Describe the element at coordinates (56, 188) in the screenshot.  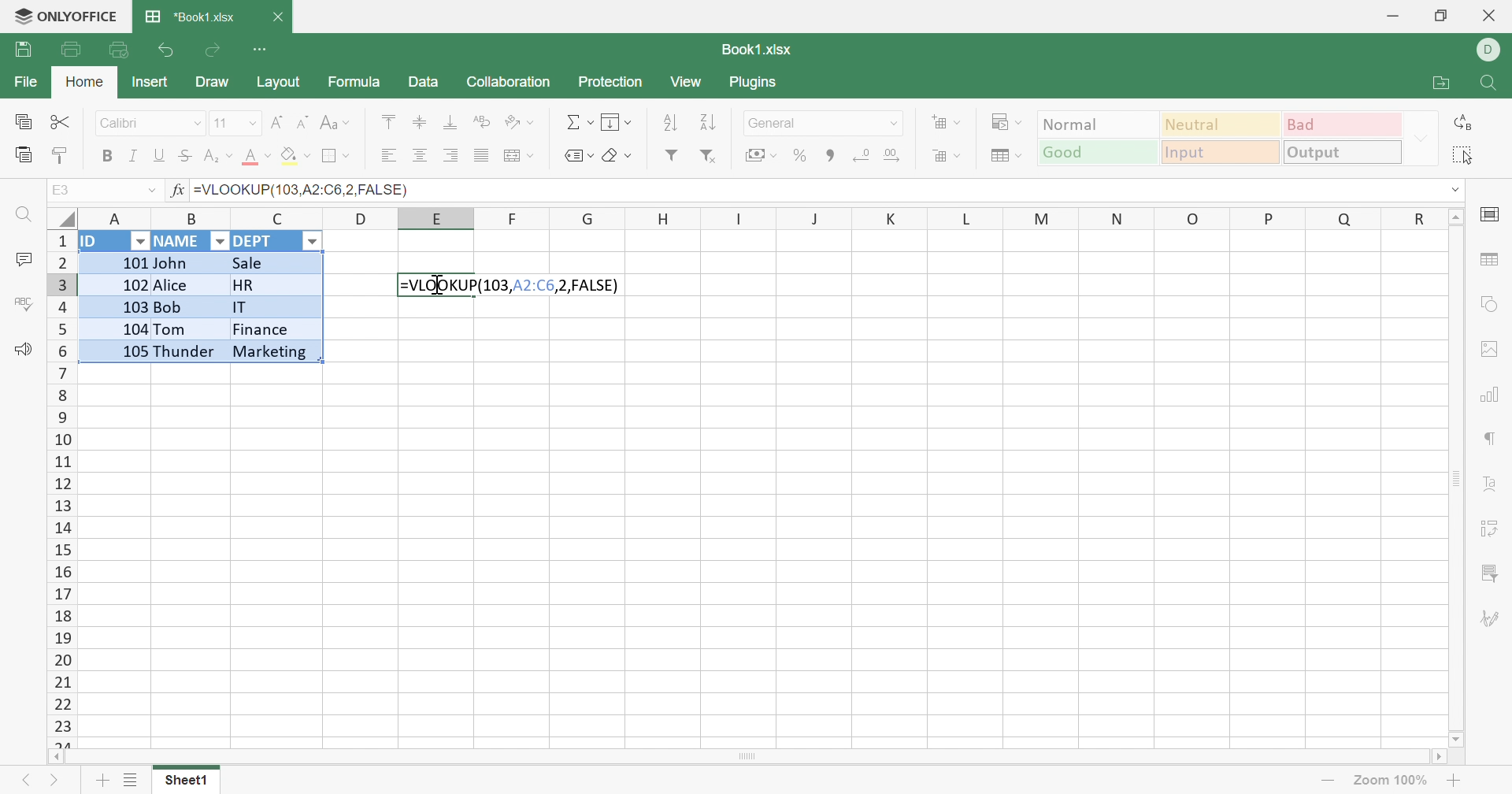
I see `E3` at that location.